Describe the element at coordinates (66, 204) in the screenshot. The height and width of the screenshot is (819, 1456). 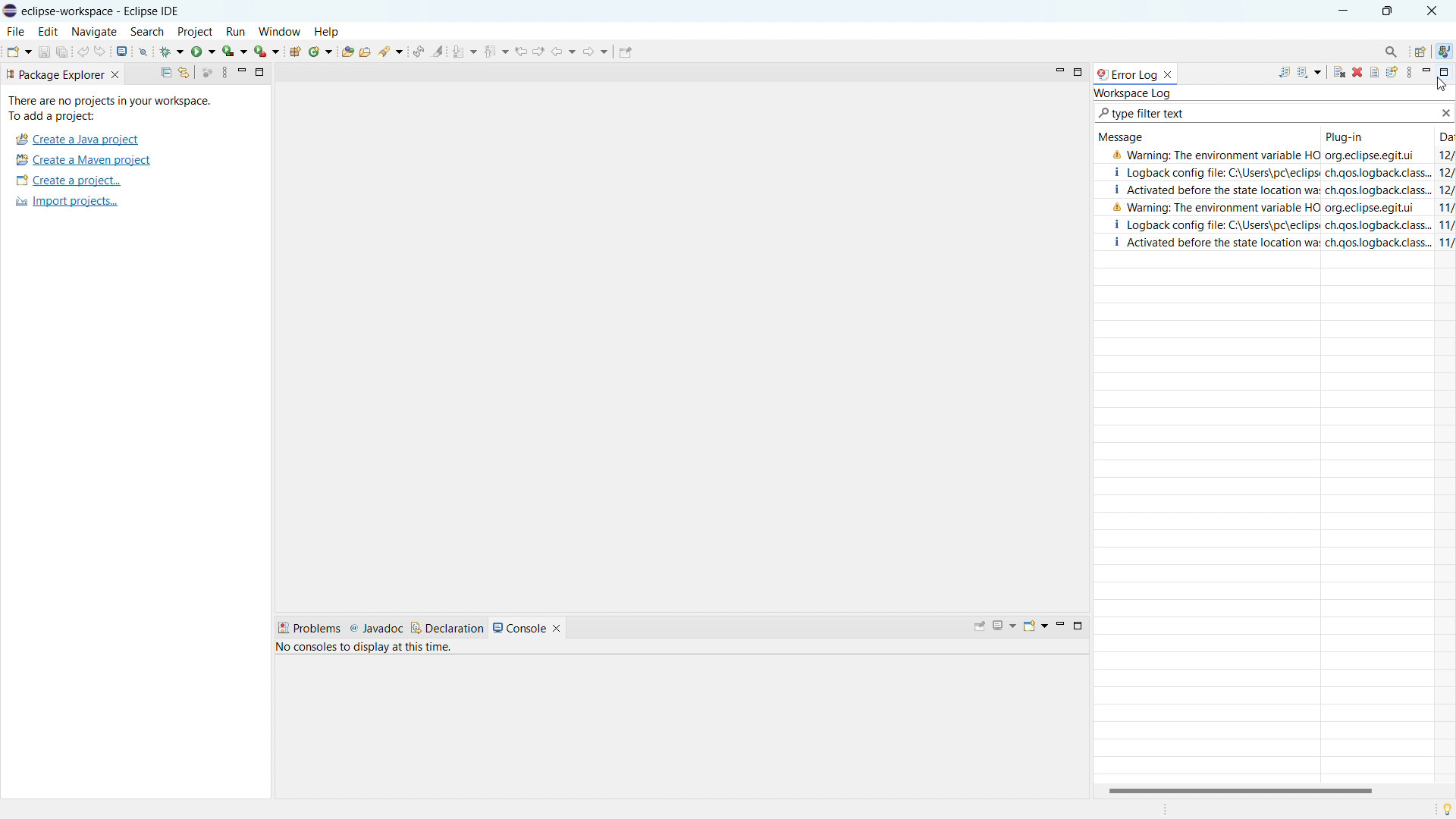
I see `import protects...` at that location.